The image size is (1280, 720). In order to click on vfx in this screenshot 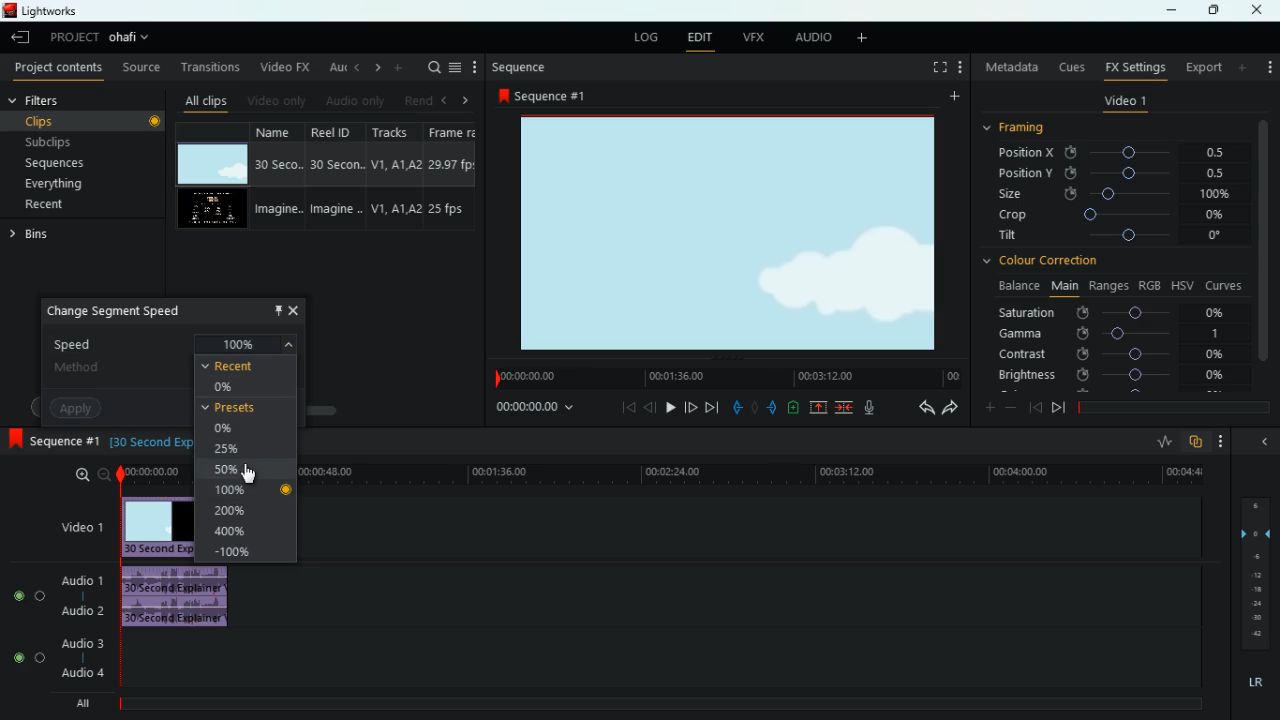, I will do `click(751, 37)`.